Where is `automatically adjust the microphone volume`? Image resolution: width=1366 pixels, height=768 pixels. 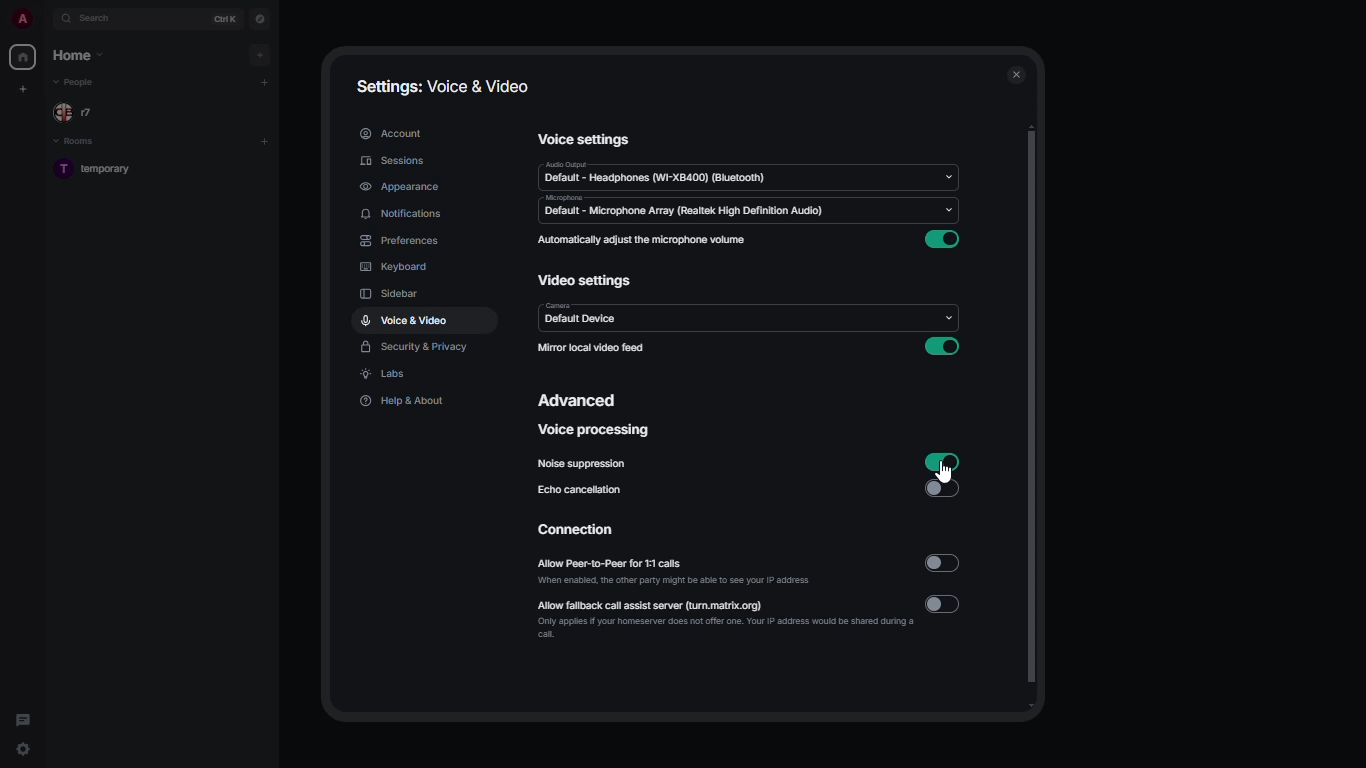 automatically adjust the microphone volume is located at coordinates (643, 241).